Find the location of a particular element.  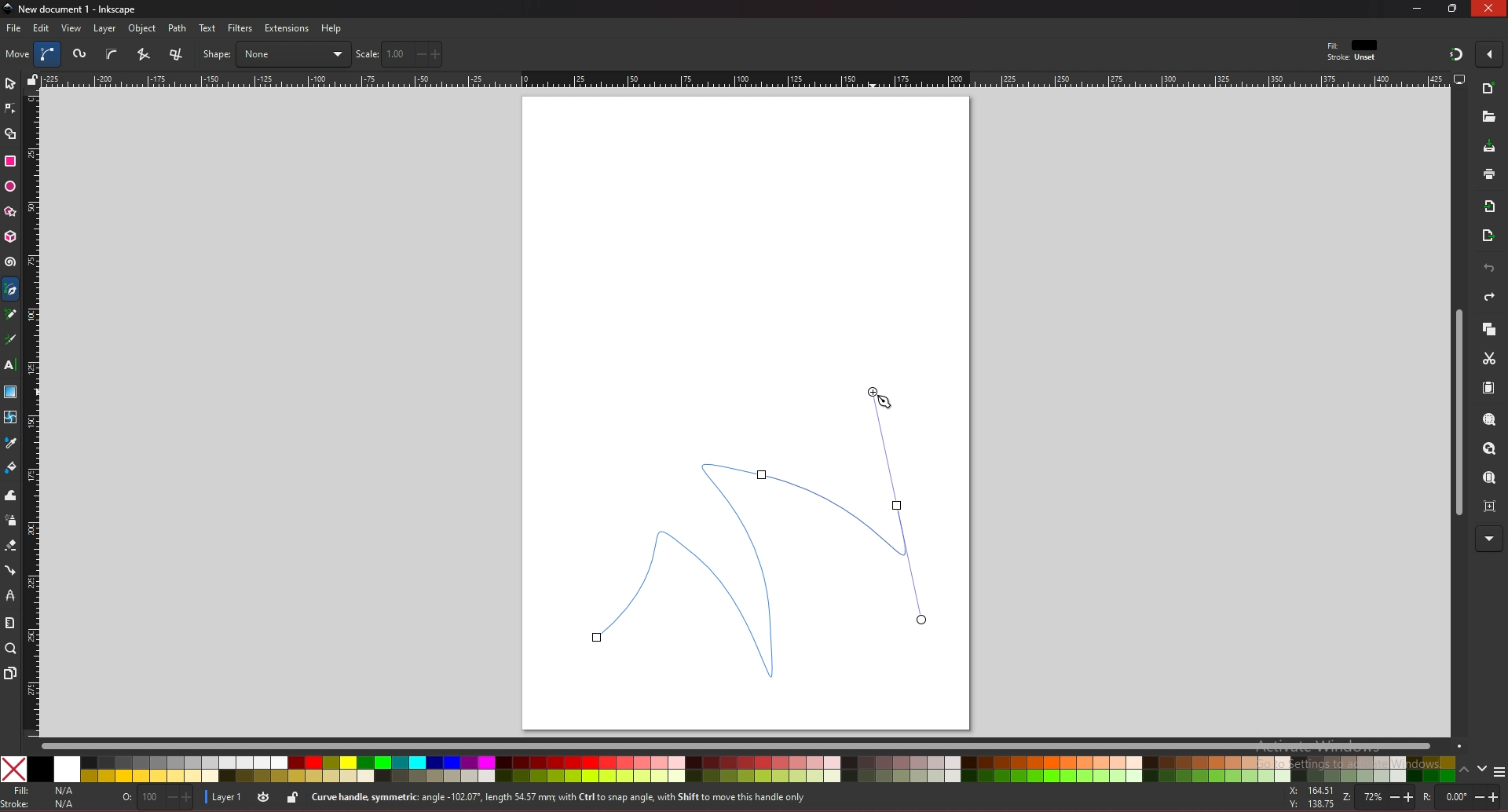

ellipse is located at coordinates (10, 187).